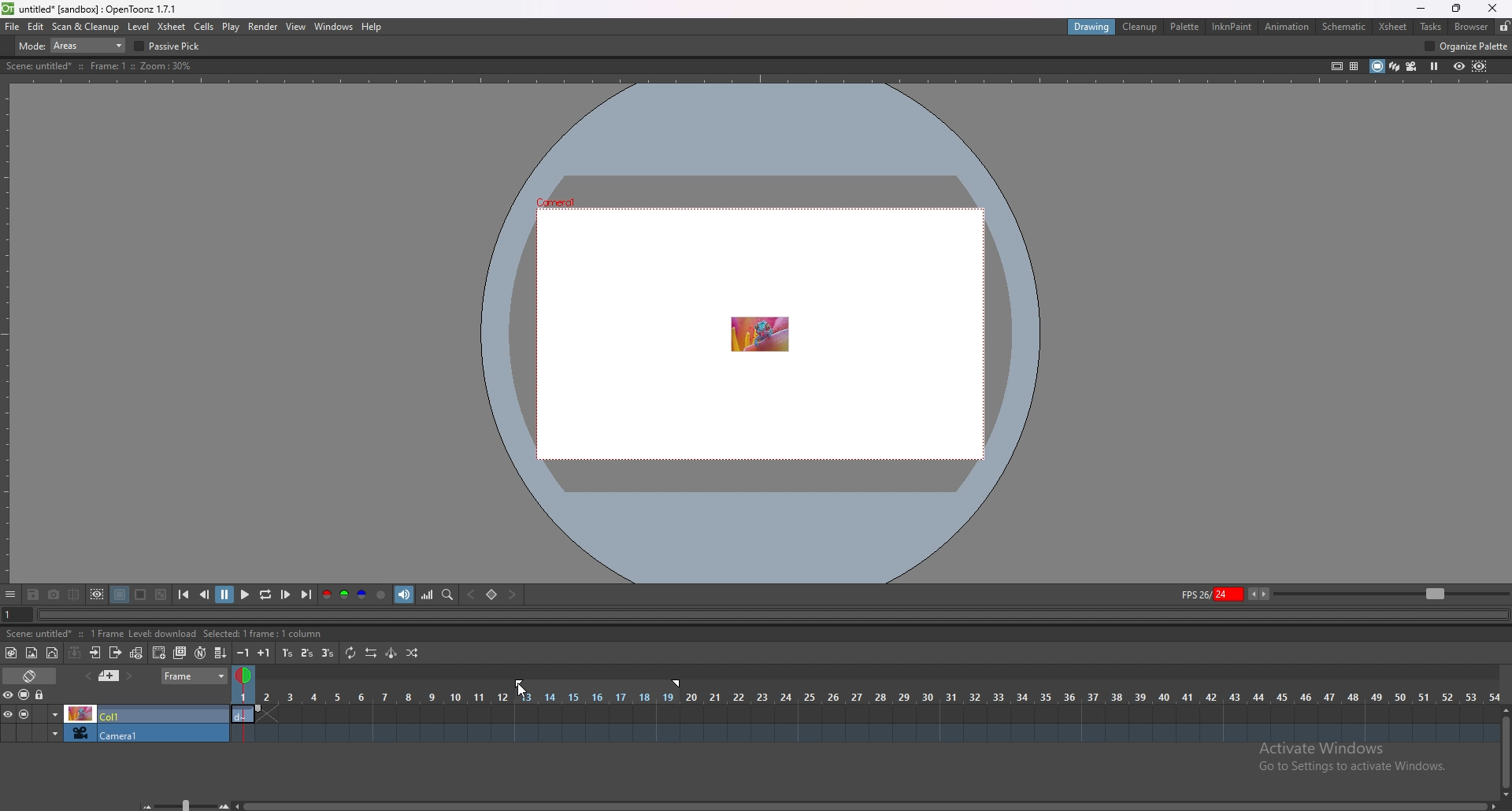  What do you see at coordinates (167, 634) in the screenshot?
I see `description` at bounding box center [167, 634].